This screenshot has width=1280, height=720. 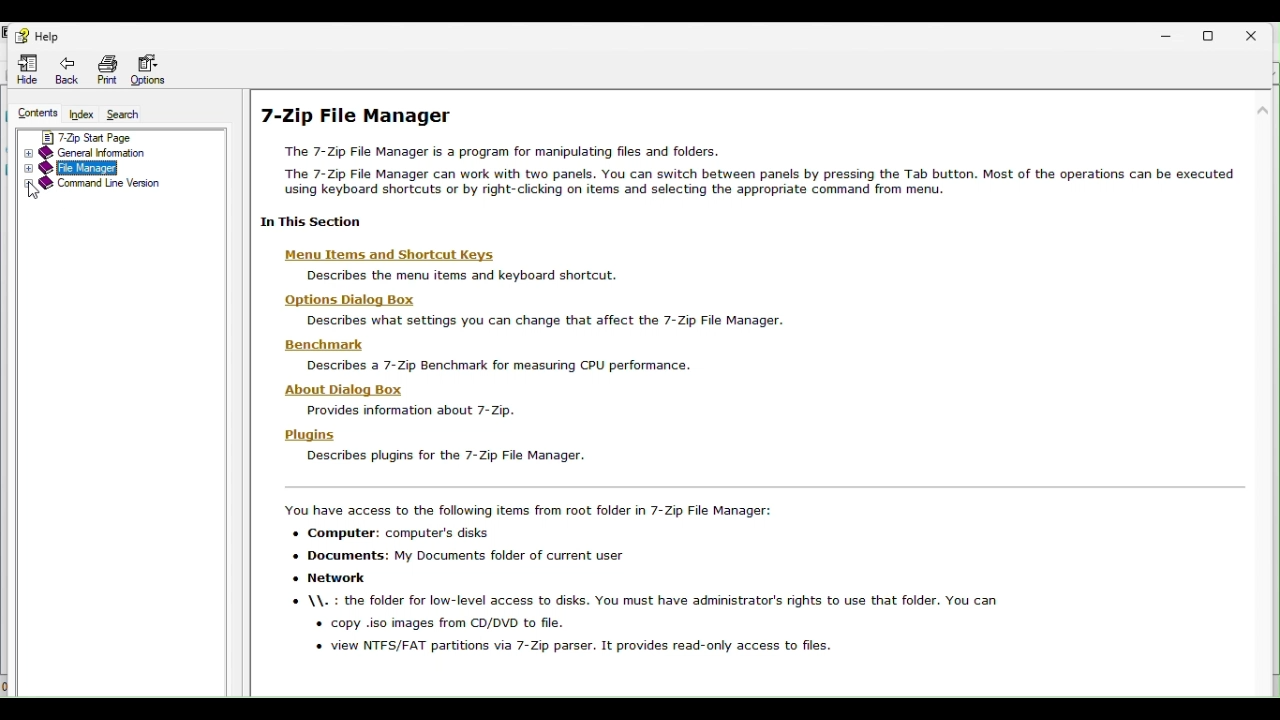 I want to click on , so click(x=103, y=71).